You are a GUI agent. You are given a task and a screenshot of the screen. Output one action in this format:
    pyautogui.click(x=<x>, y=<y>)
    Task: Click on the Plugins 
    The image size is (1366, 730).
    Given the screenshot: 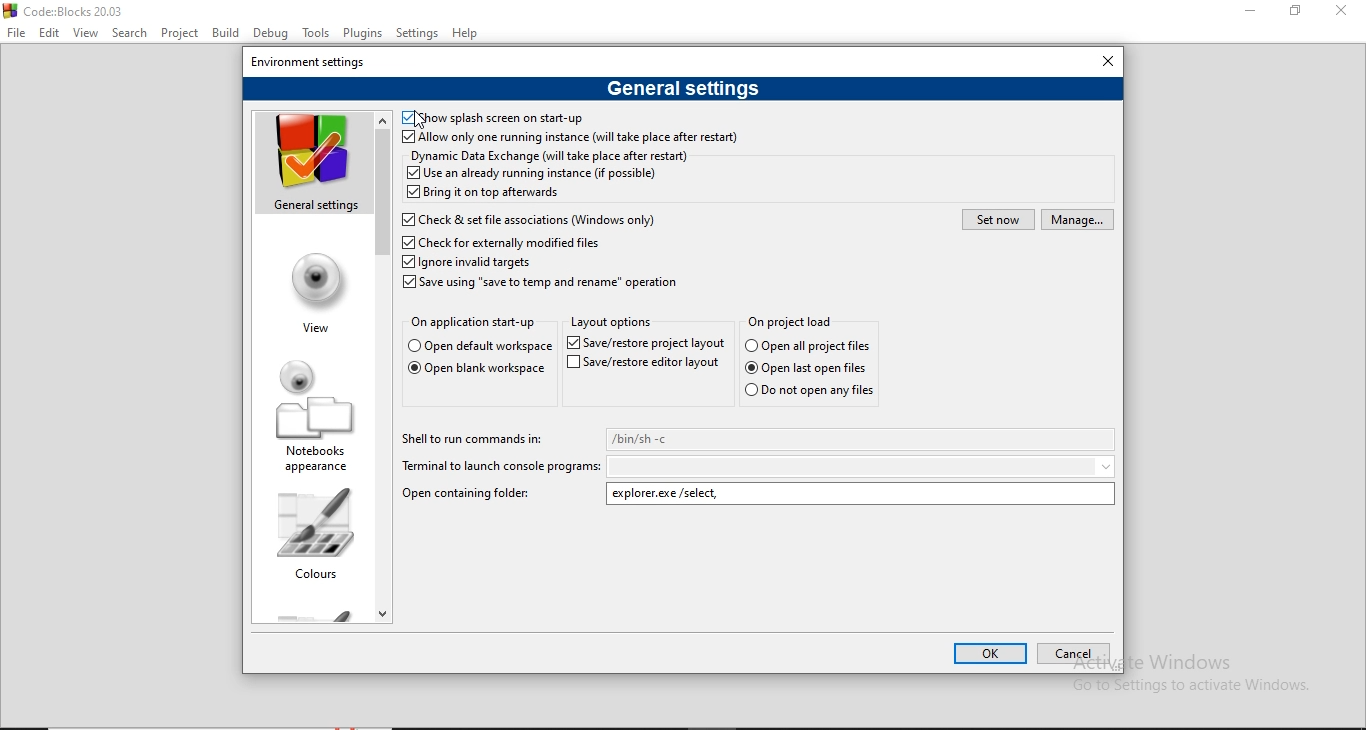 What is the action you would take?
    pyautogui.click(x=364, y=31)
    